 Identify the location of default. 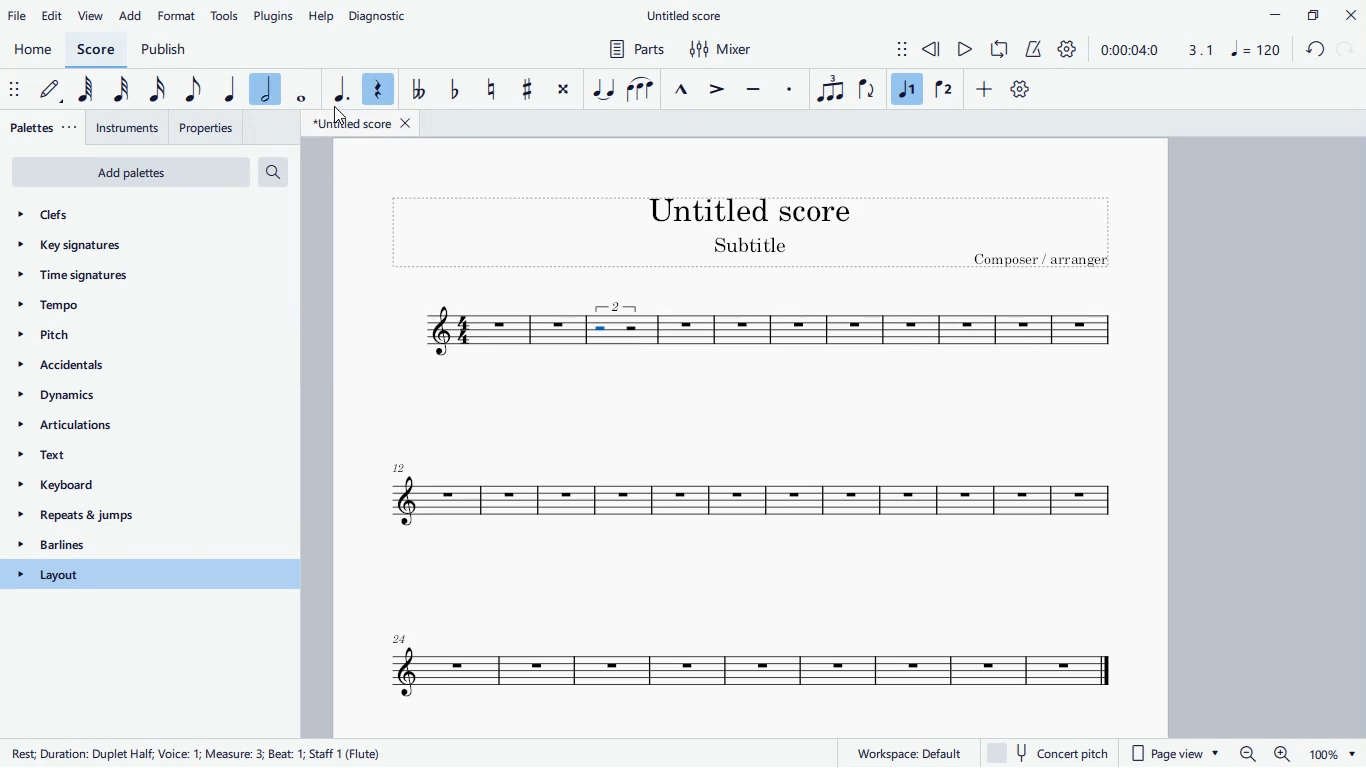
(54, 93).